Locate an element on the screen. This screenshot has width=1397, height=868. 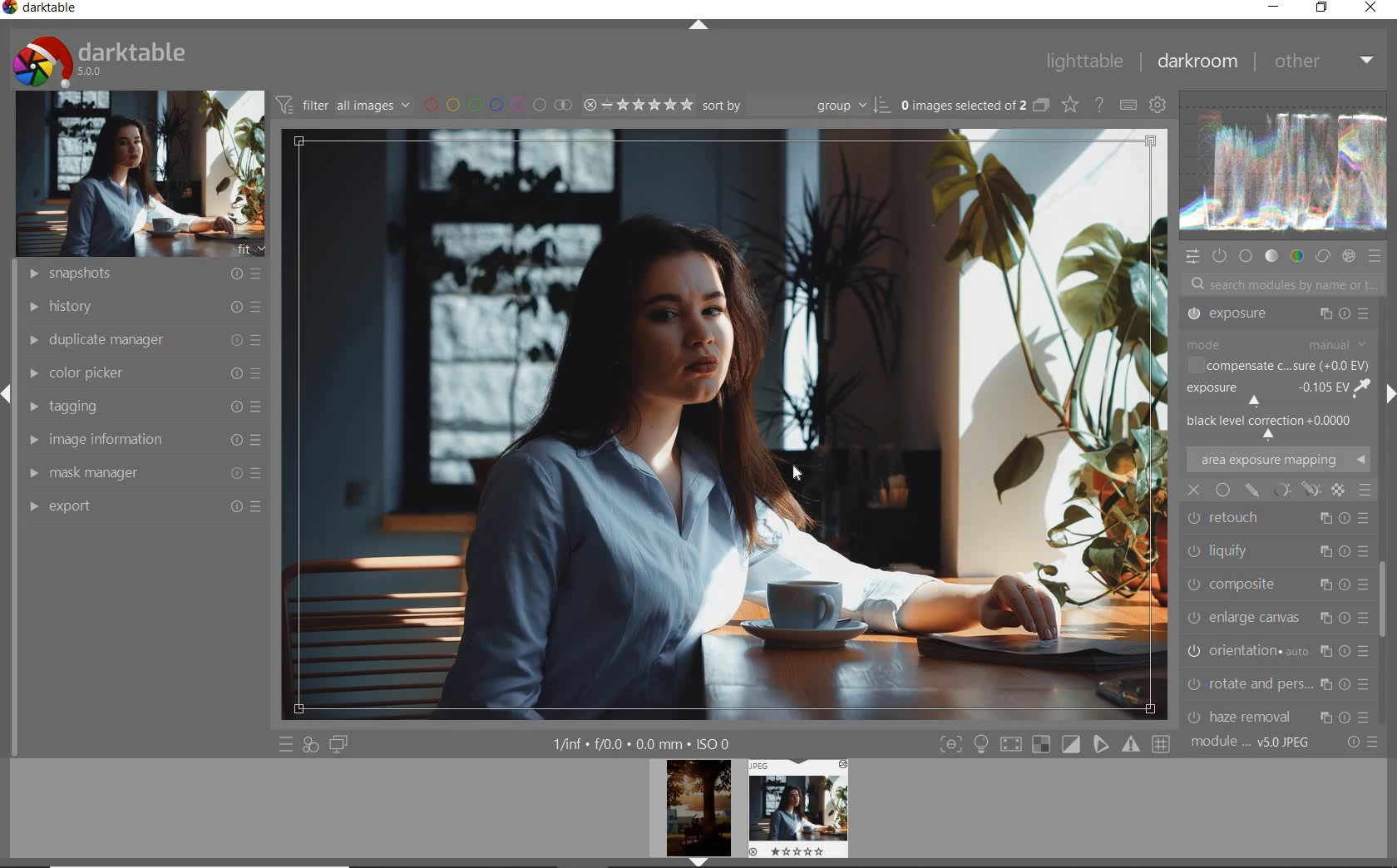
SCROLLBAR is located at coordinates (1386, 608).